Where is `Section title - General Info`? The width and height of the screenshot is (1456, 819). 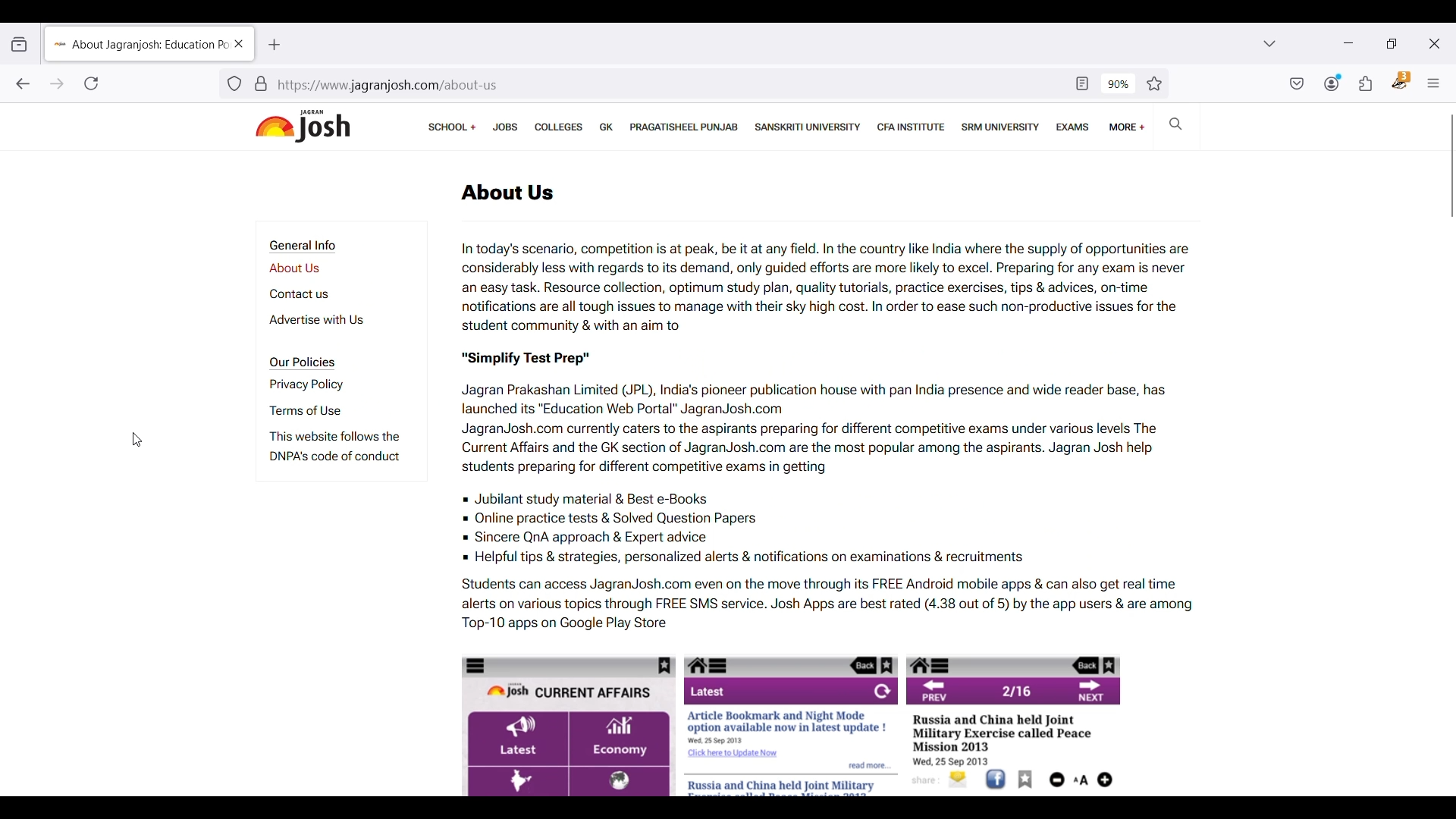 Section title - General Info is located at coordinates (306, 246).